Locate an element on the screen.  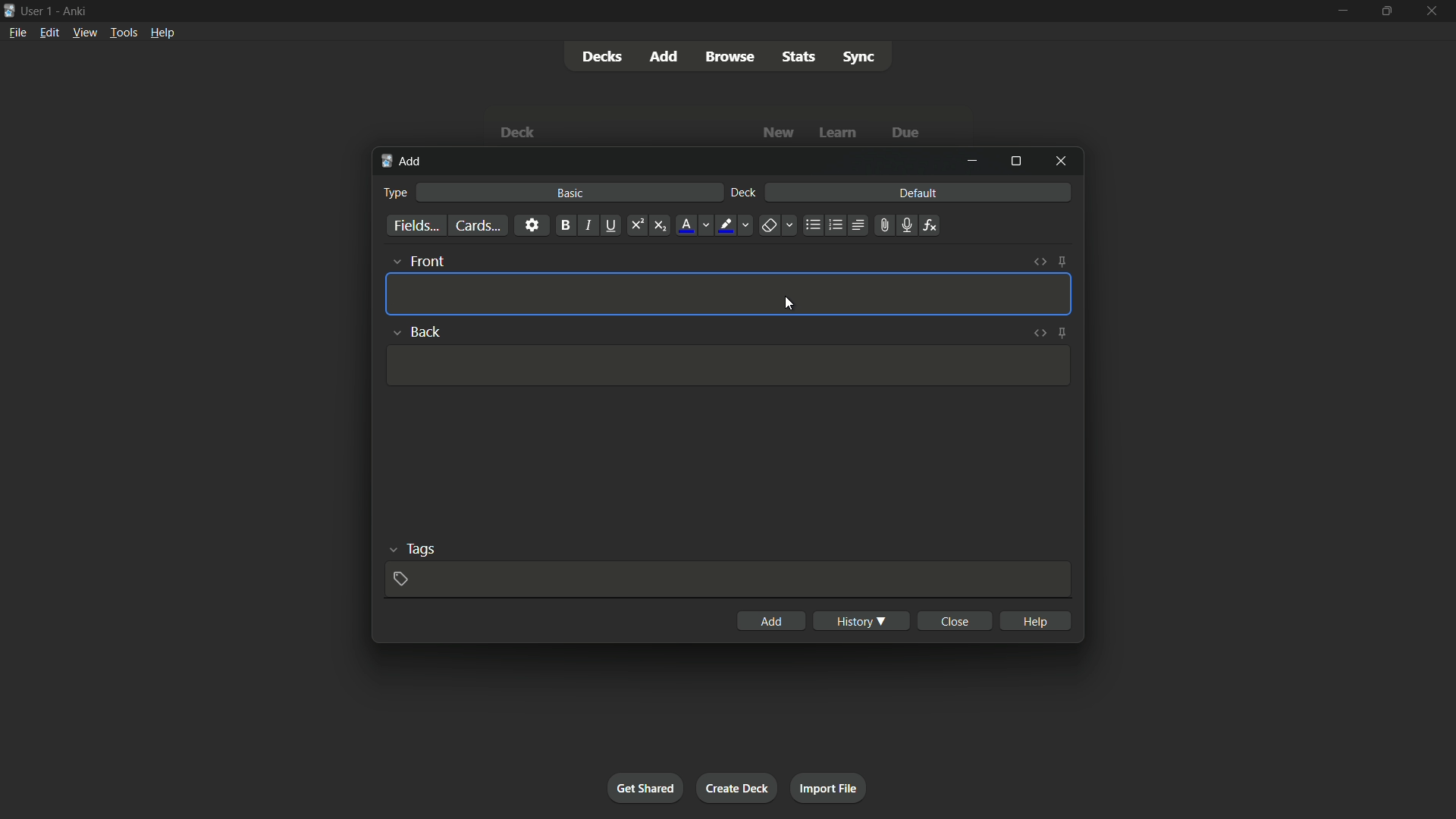
ordered list is located at coordinates (836, 225).